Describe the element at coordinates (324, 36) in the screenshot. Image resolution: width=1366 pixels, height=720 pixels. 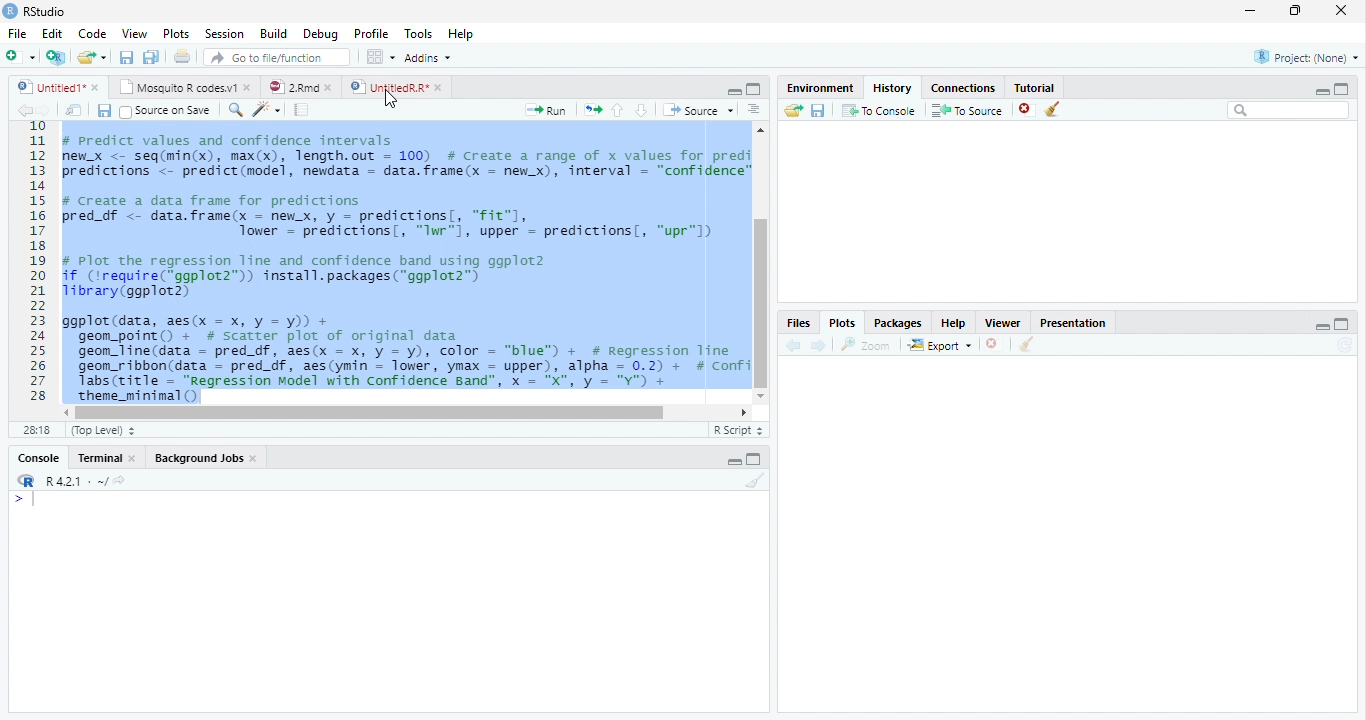
I see `Debug` at that location.